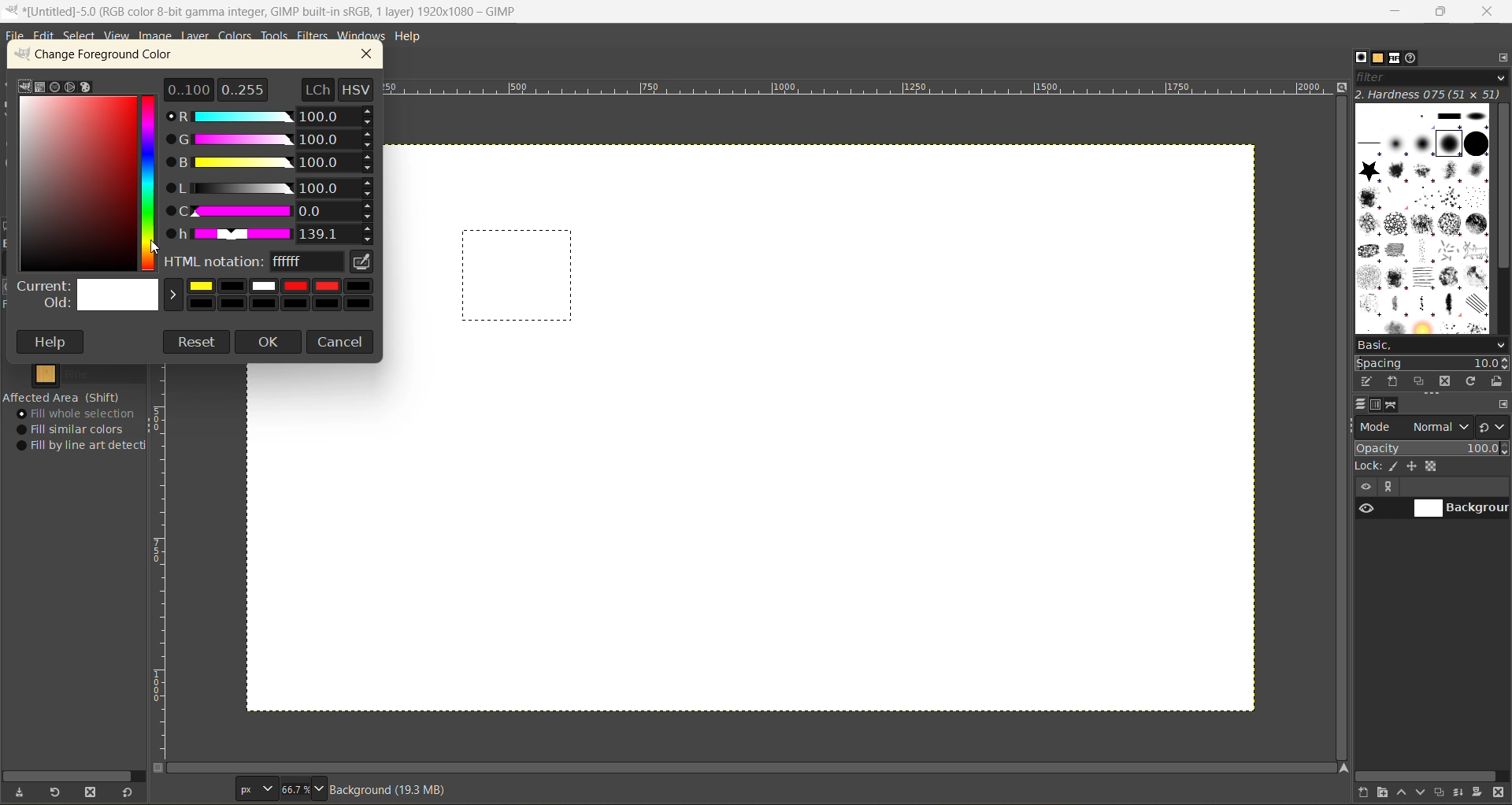 The width and height of the screenshot is (1512, 805). I want to click on color scale, so click(151, 181).